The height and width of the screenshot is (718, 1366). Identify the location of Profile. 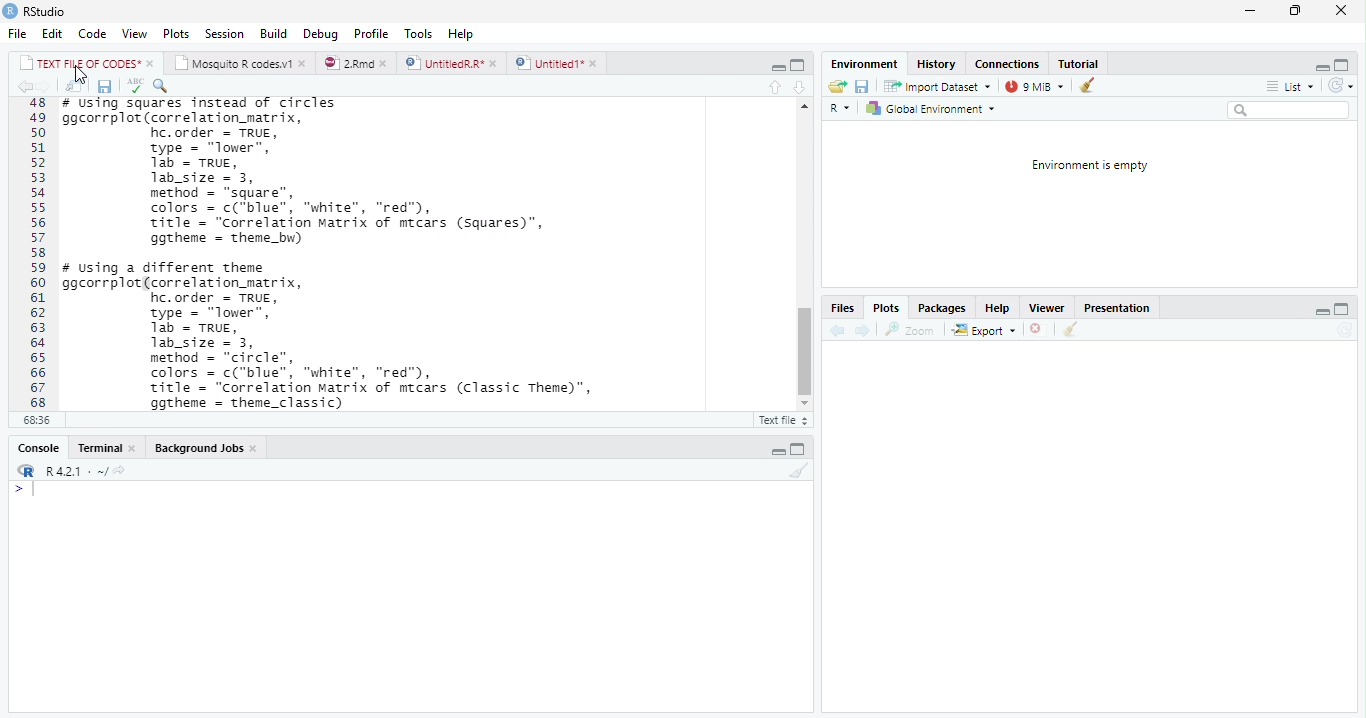
(370, 33).